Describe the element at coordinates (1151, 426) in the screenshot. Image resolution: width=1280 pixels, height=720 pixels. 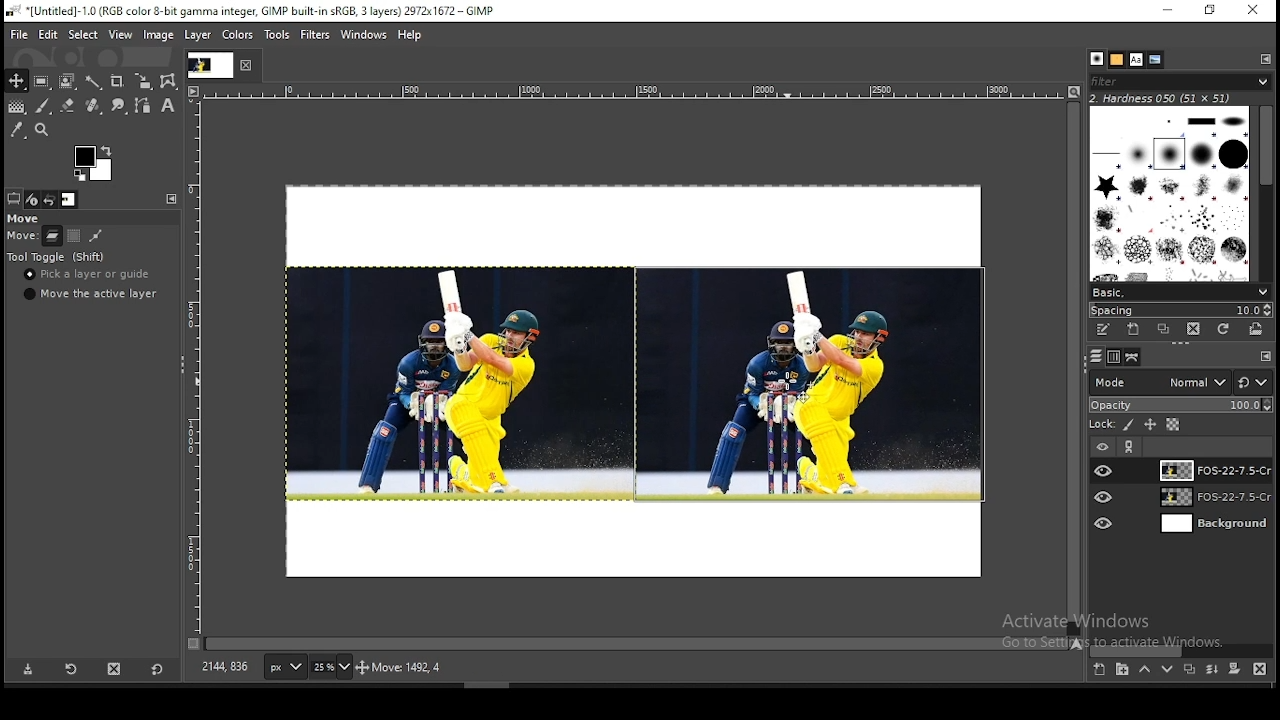
I see `lock size and position` at that location.